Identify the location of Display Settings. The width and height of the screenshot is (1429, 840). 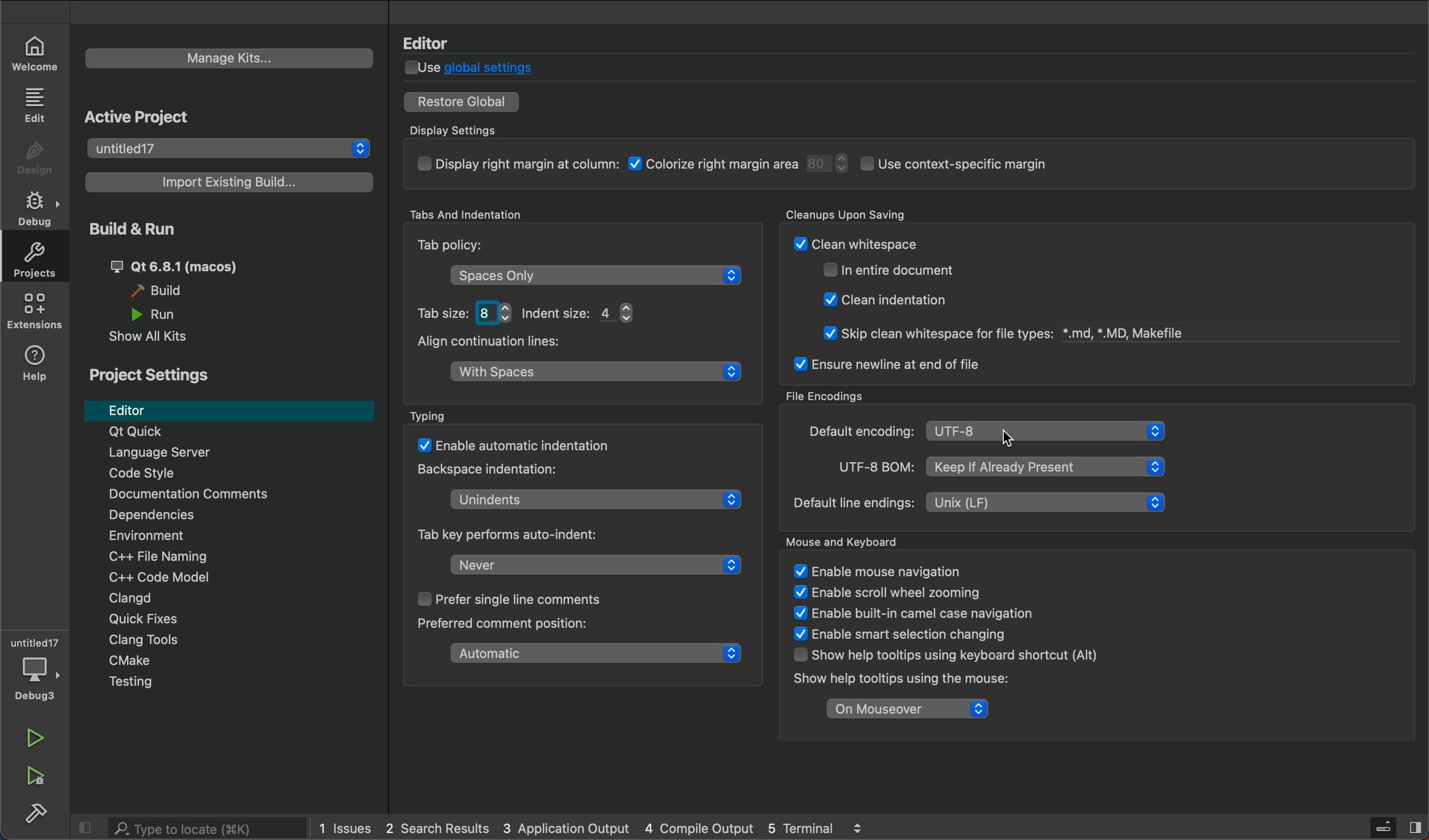
(462, 131).